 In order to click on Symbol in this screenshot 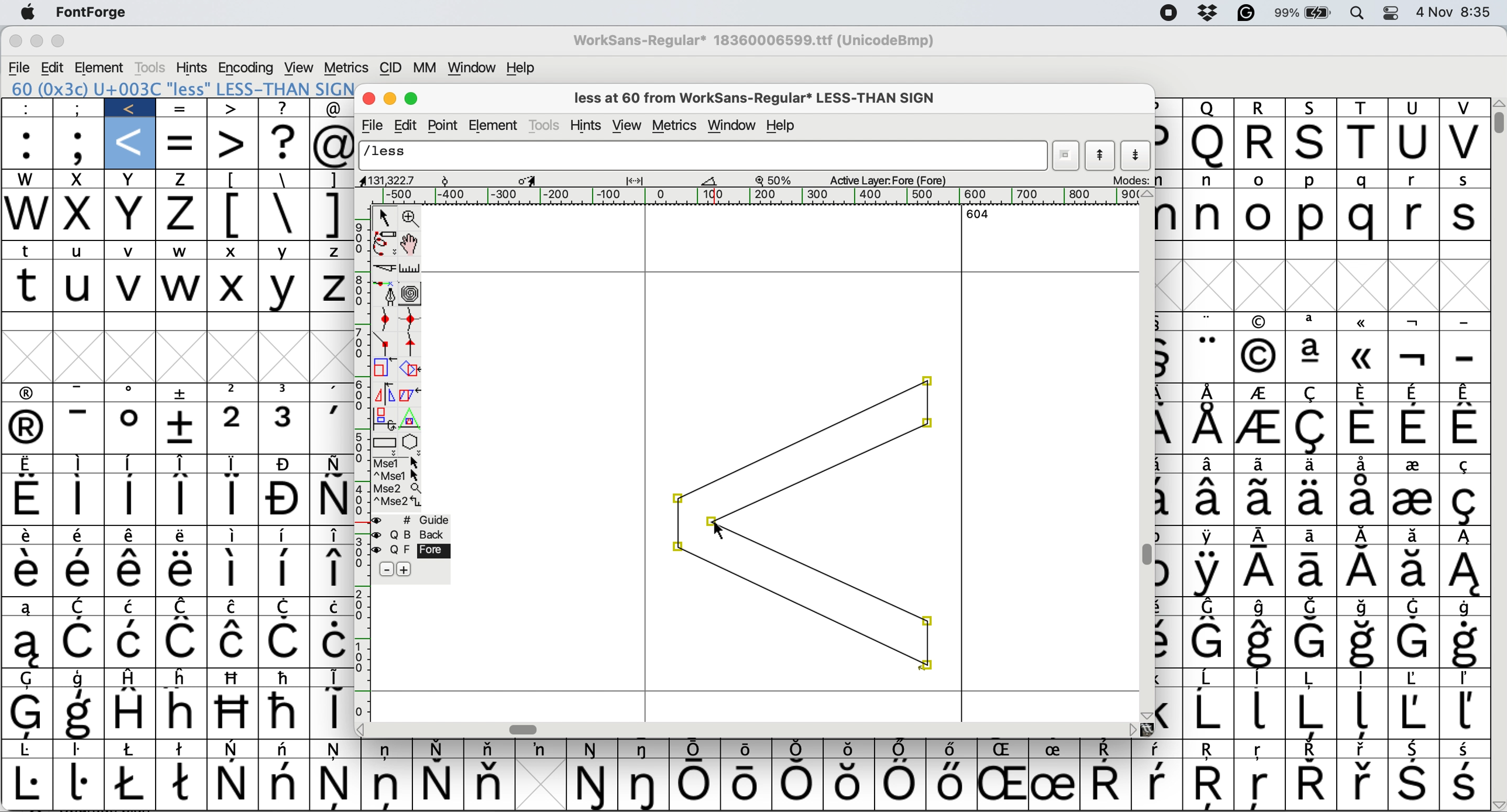, I will do `click(1260, 787)`.